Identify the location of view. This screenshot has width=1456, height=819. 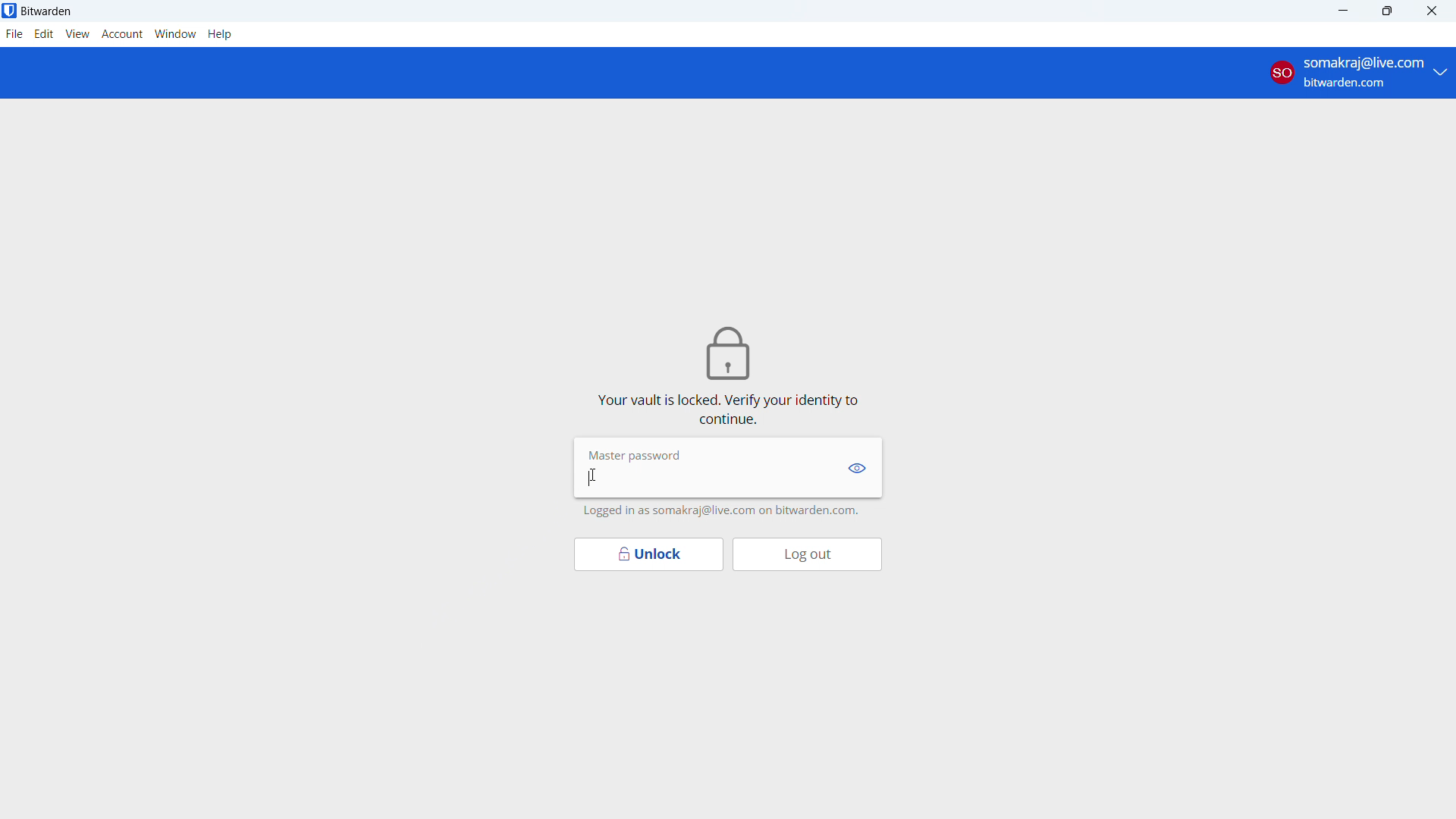
(77, 34).